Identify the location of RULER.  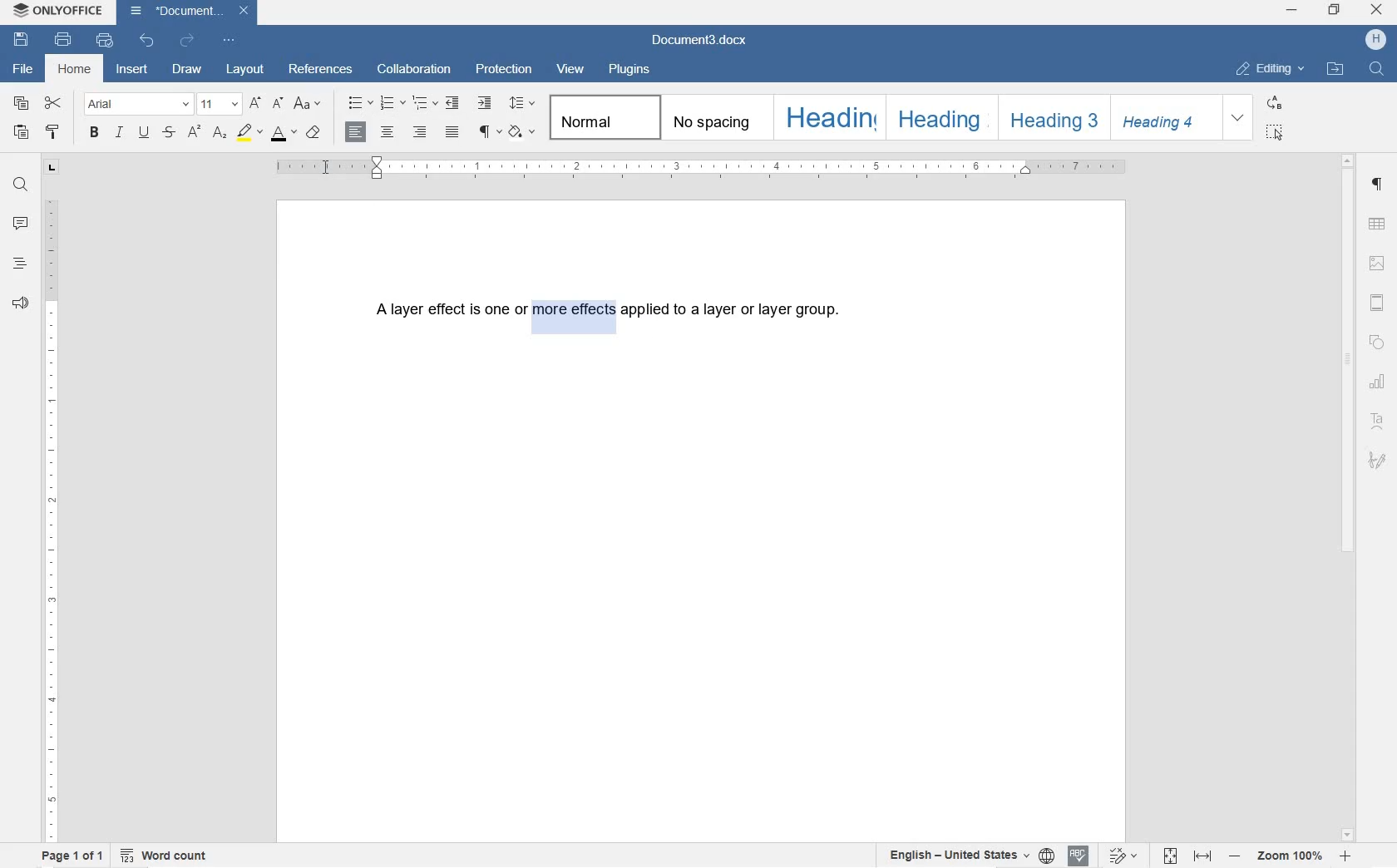
(51, 518).